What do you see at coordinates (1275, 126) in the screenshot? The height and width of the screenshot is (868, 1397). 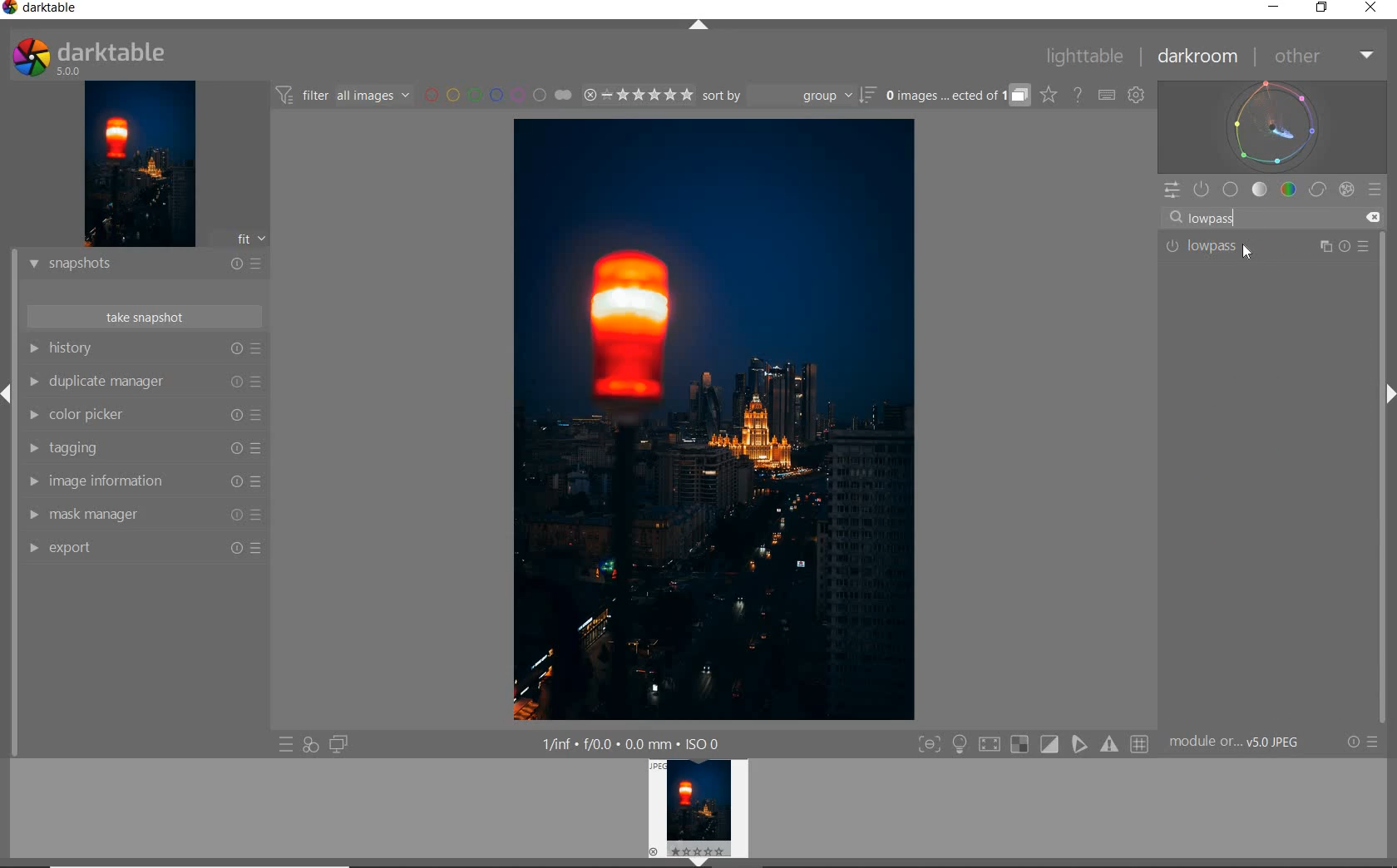 I see `WAVEFORM` at bounding box center [1275, 126].